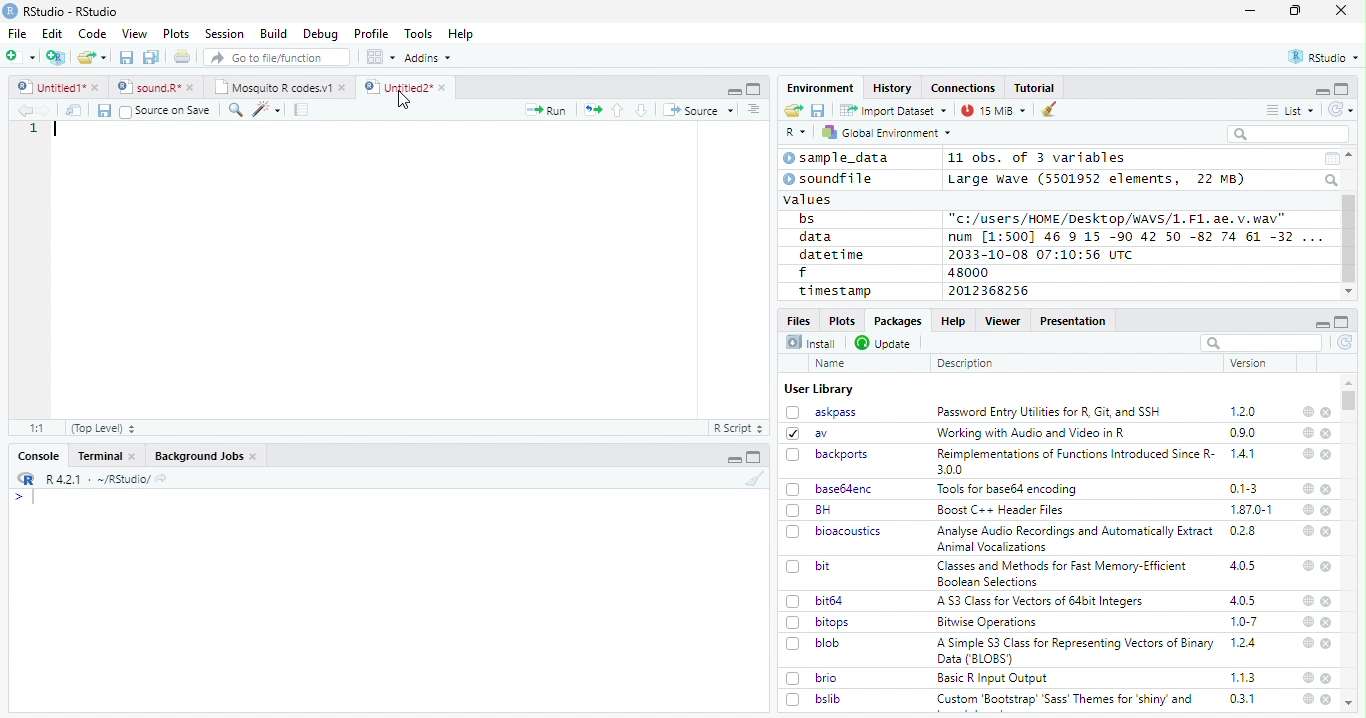 This screenshot has height=718, width=1366. Describe the element at coordinates (106, 456) in the screenshot. I see `Terminal` at that location.